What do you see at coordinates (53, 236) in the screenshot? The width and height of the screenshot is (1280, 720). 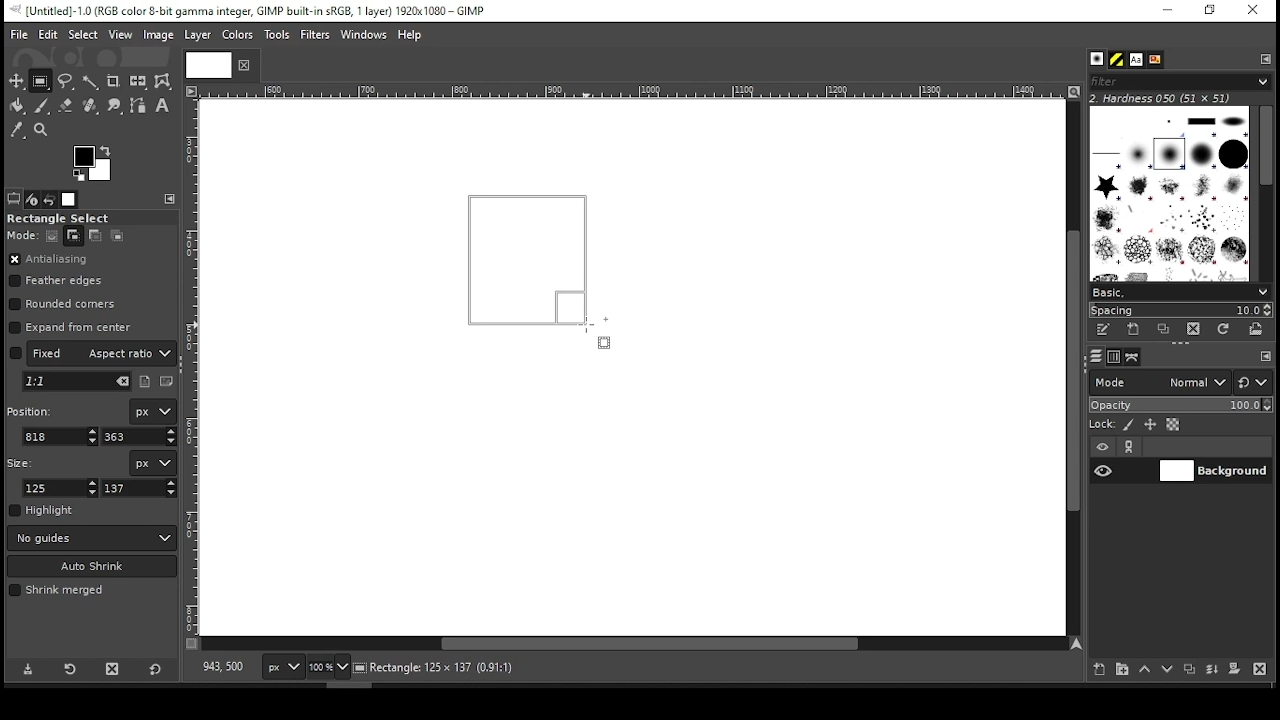 I see `replace current selection` at bounding box center [53, 236].